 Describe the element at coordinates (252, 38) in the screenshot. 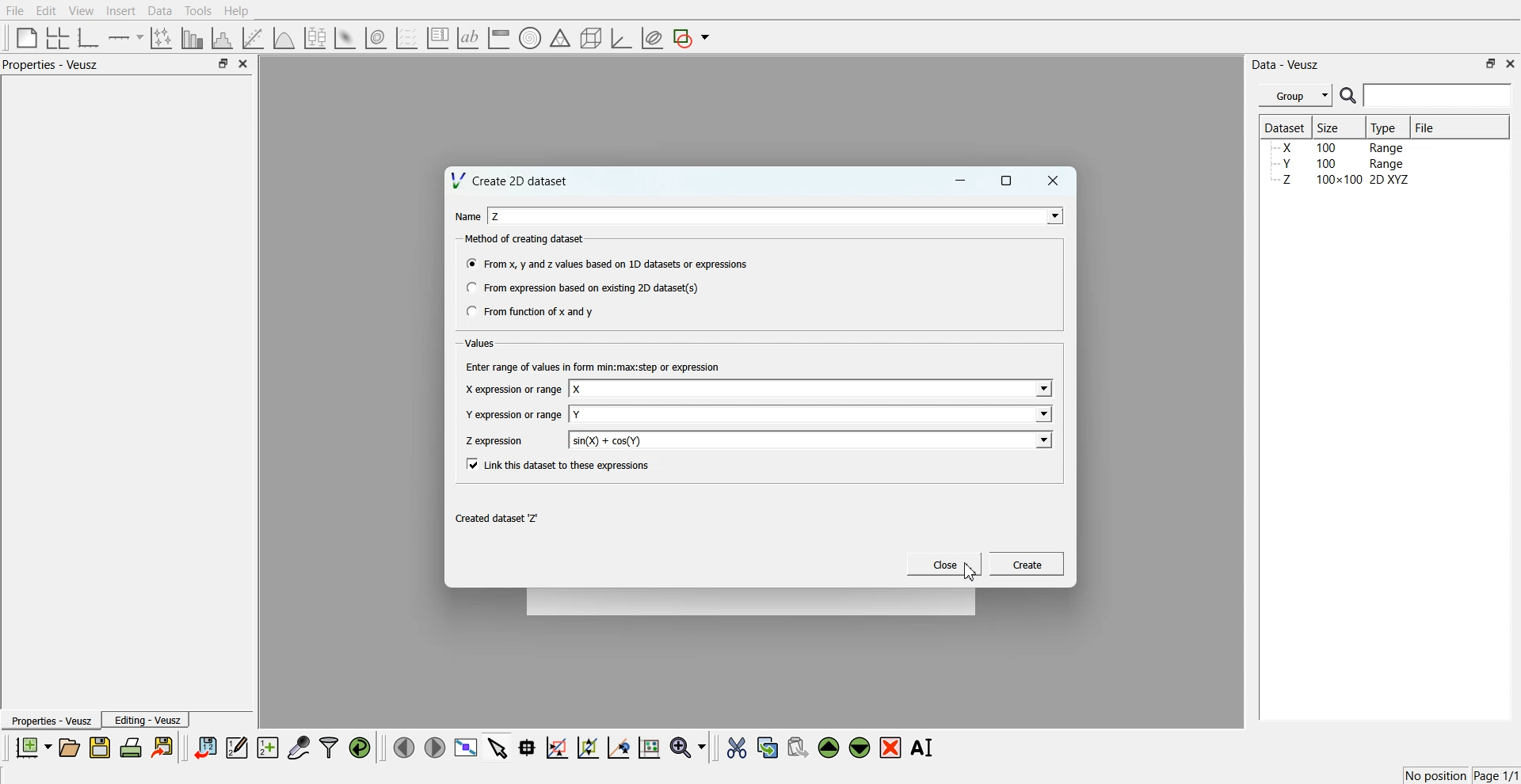

I see `Fit a function of data` at that location.